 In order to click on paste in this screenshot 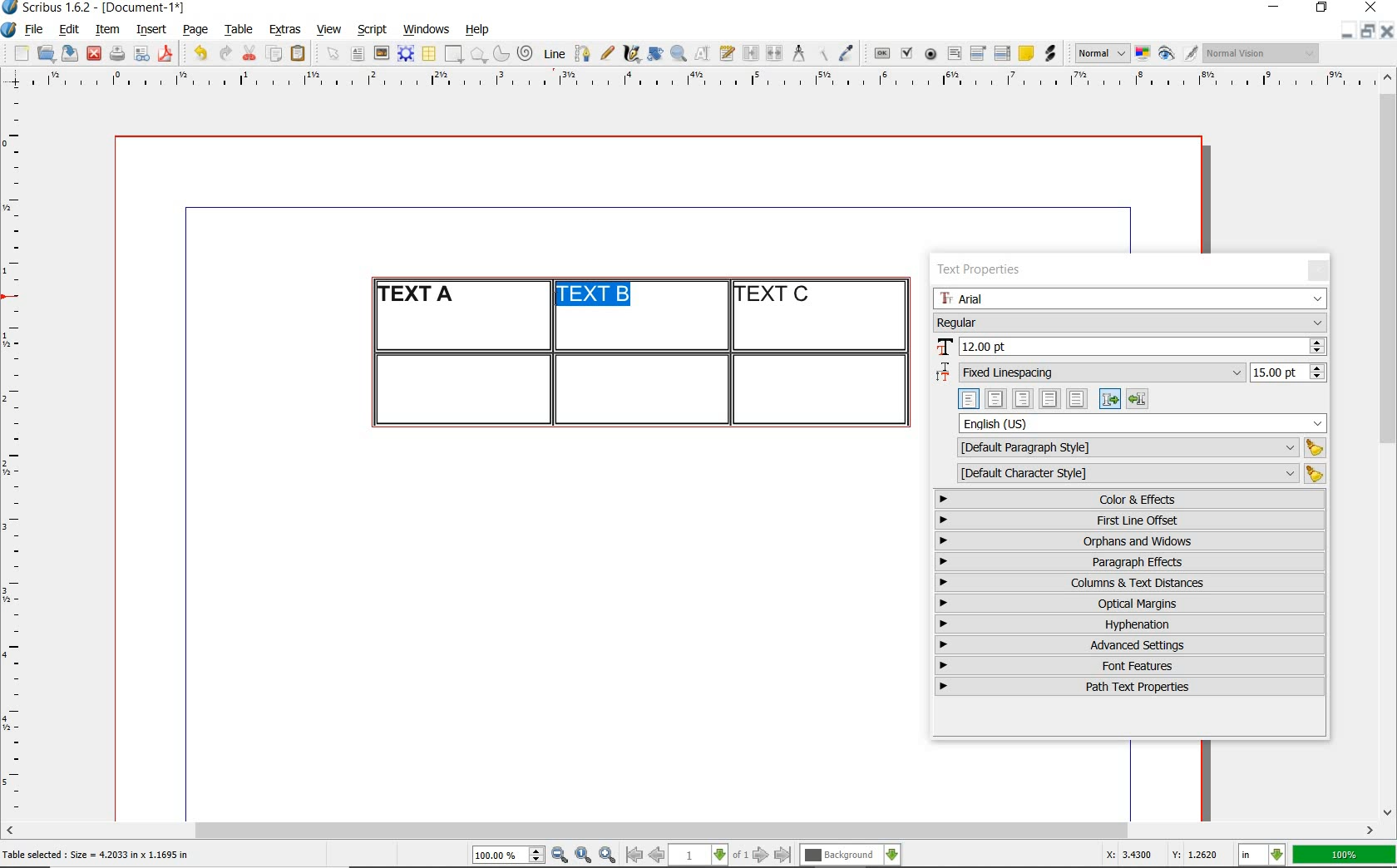, I will do `click(301, 54)`.